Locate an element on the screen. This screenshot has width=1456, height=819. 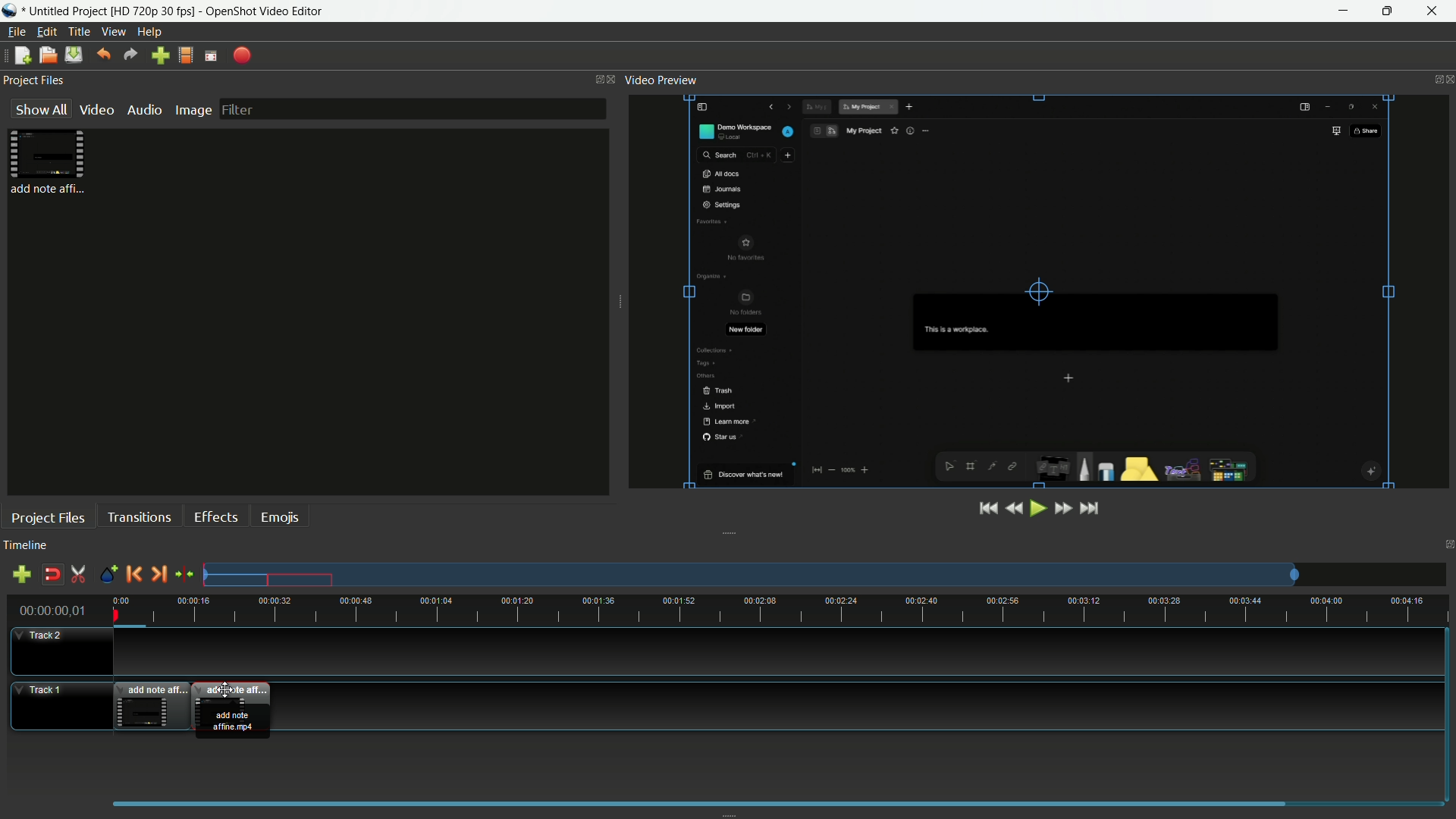
file menu is located at coordinates (17, 32).